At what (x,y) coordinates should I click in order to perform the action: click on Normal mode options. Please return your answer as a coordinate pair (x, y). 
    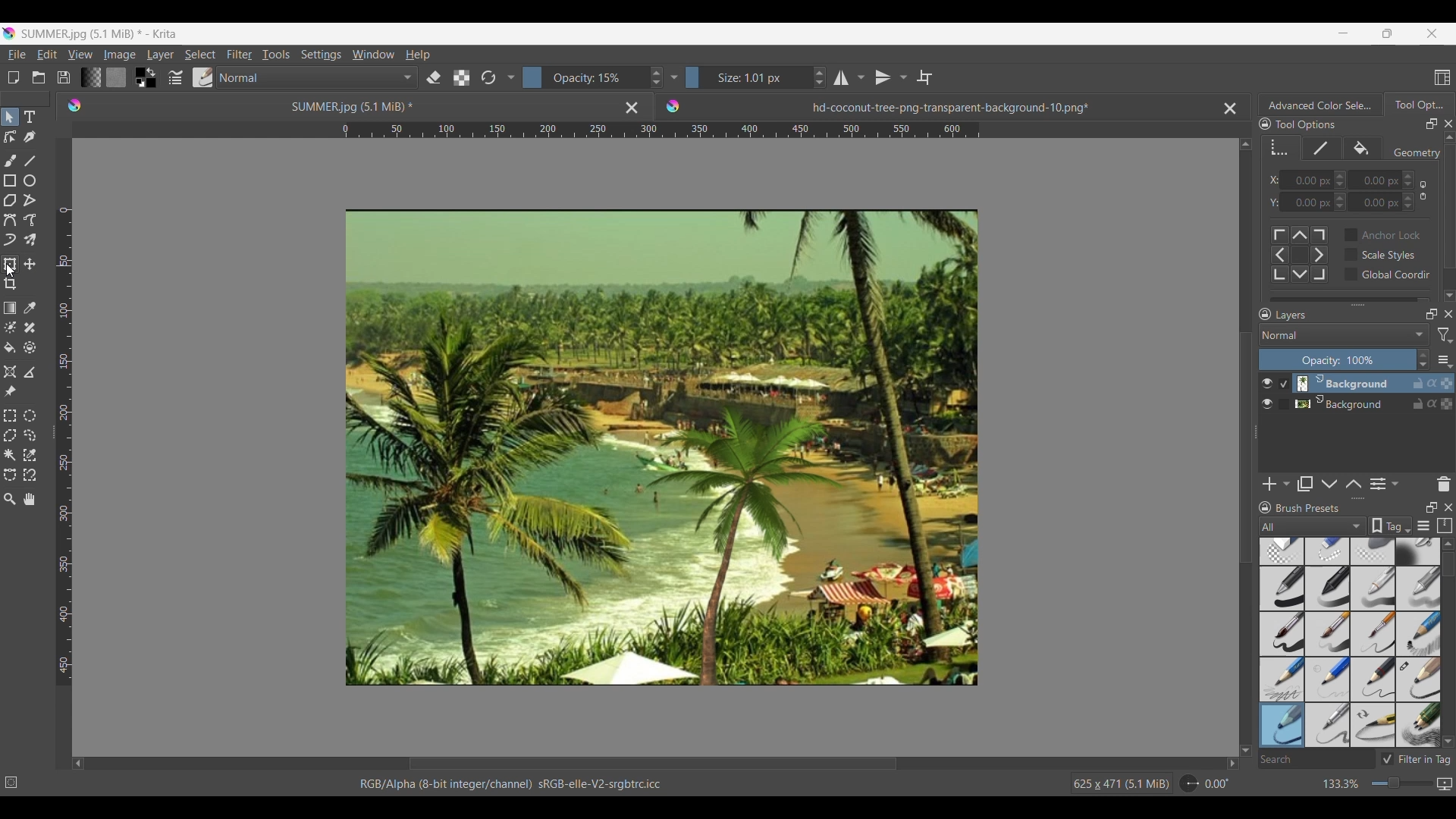
    Looking at the image, I should click on (1344, 334).